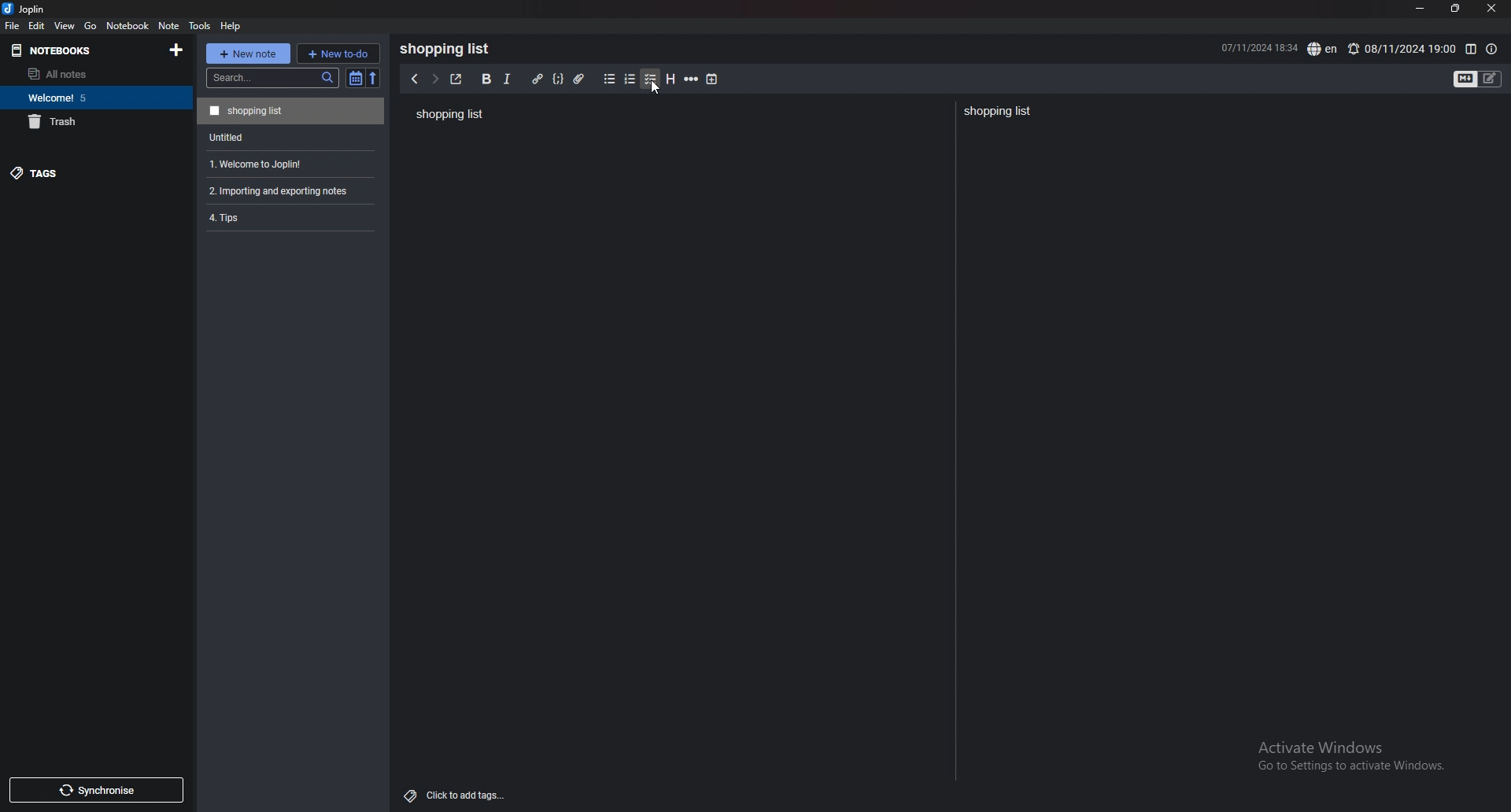 The height and width of the screenshot is (812, 1511). I want to click on 1. Welcome to Joplin!, so click(287, 162).